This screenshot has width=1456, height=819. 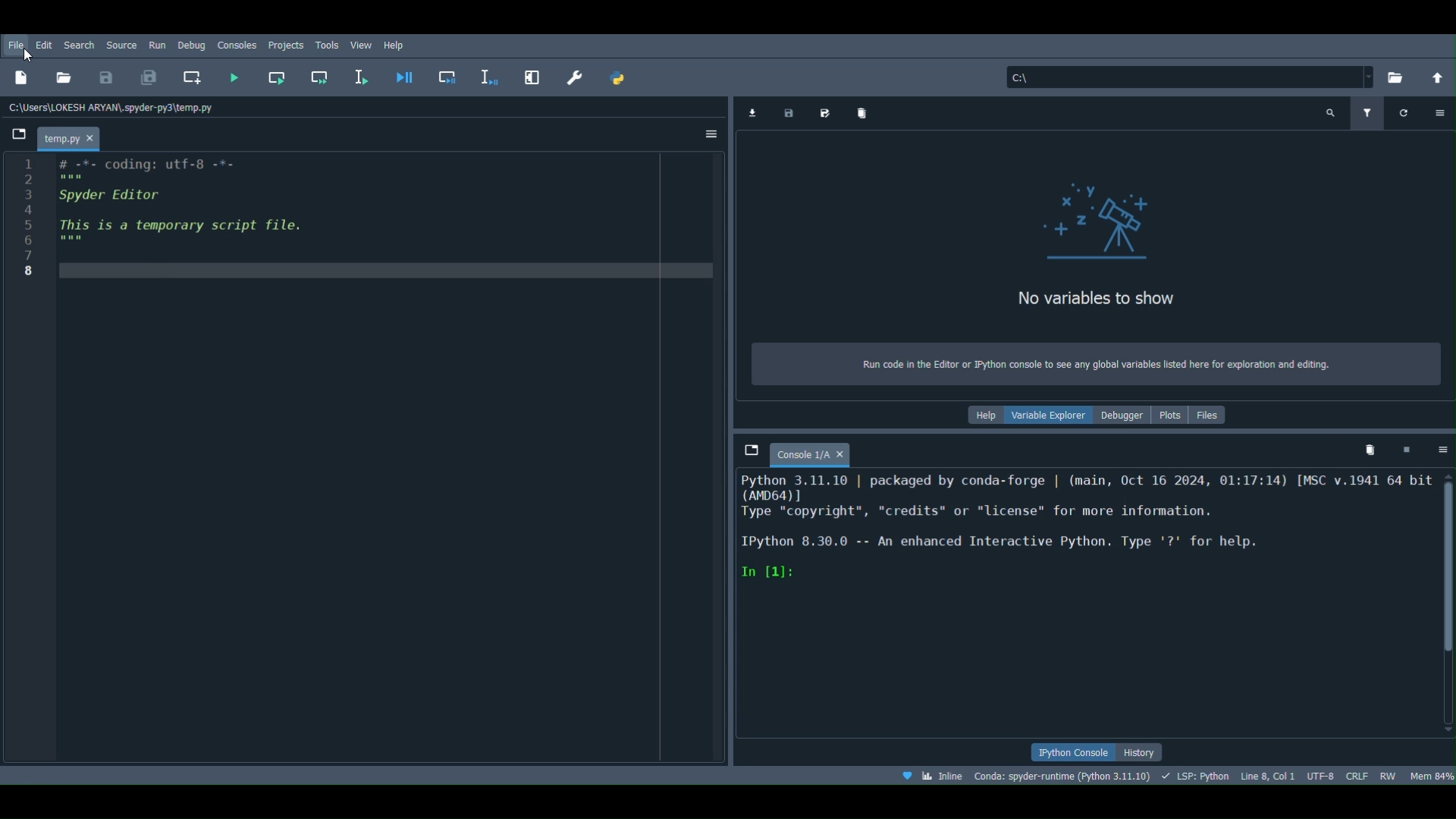 What do you see at coordinates (1333, 110) in the screenshot?
I see `Search variable names and types (Ctrl + F)` at bounding box center [1333, 110].